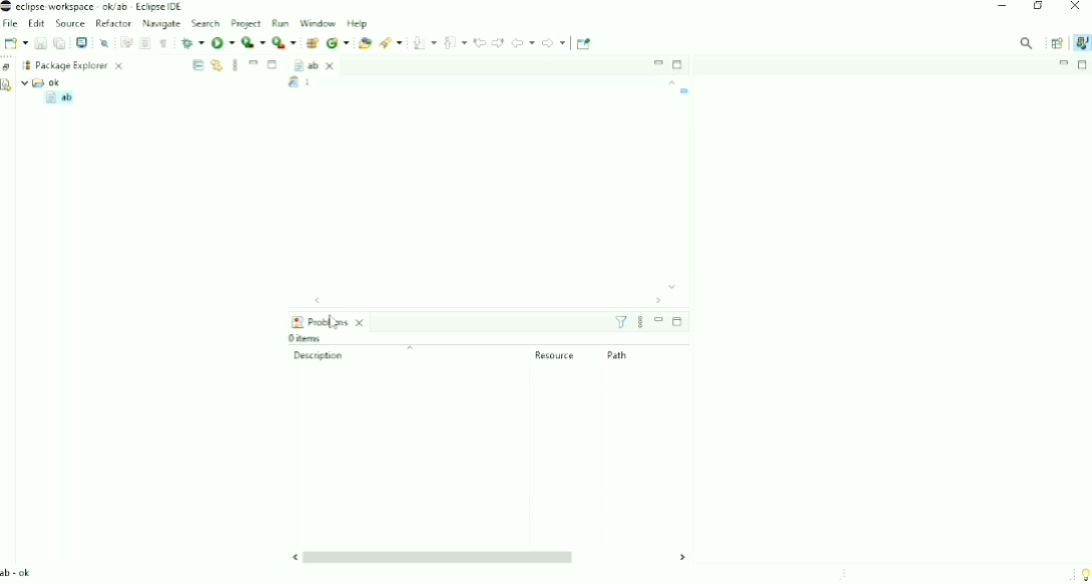 The image size is (1092, 584). Describe the element at coordinates (284, 42) in the screenshot. I see `Run Last Tool` at that location.